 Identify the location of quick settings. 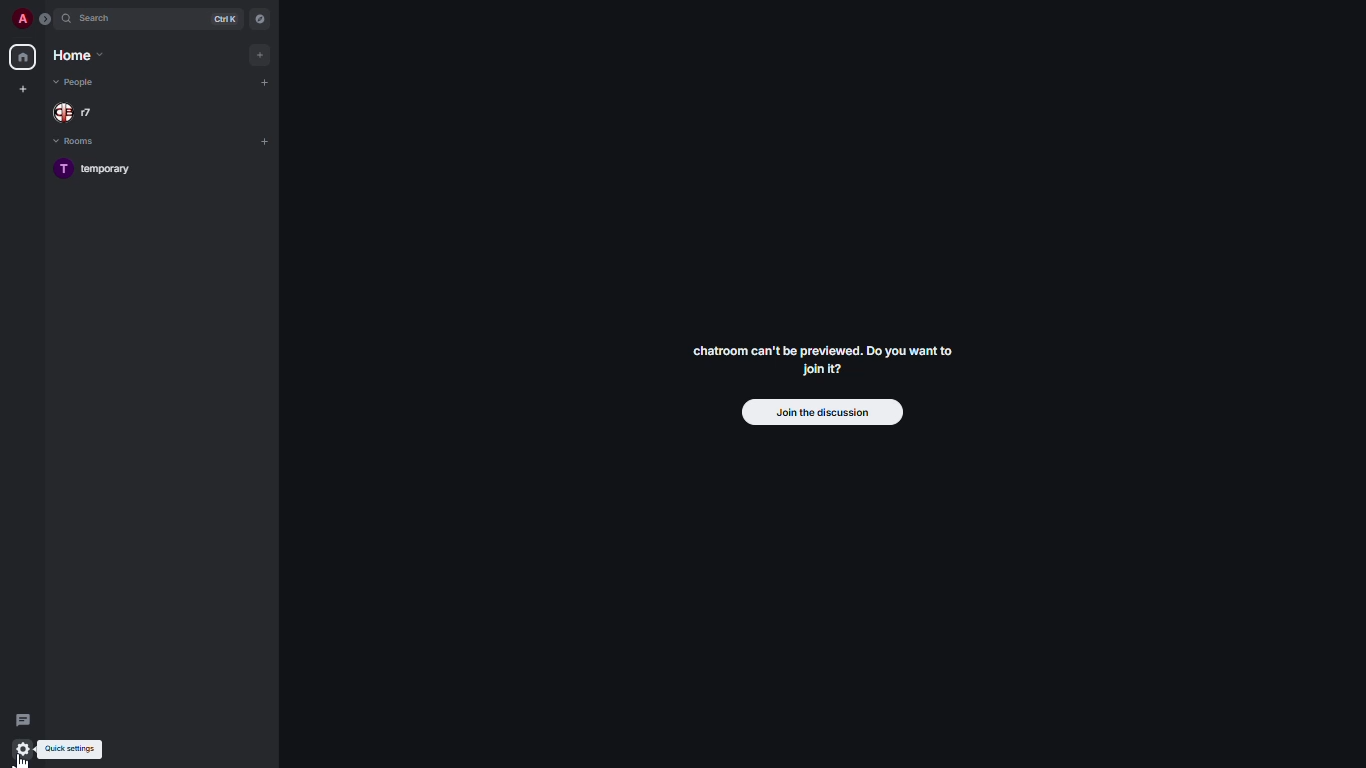
(72, 749).